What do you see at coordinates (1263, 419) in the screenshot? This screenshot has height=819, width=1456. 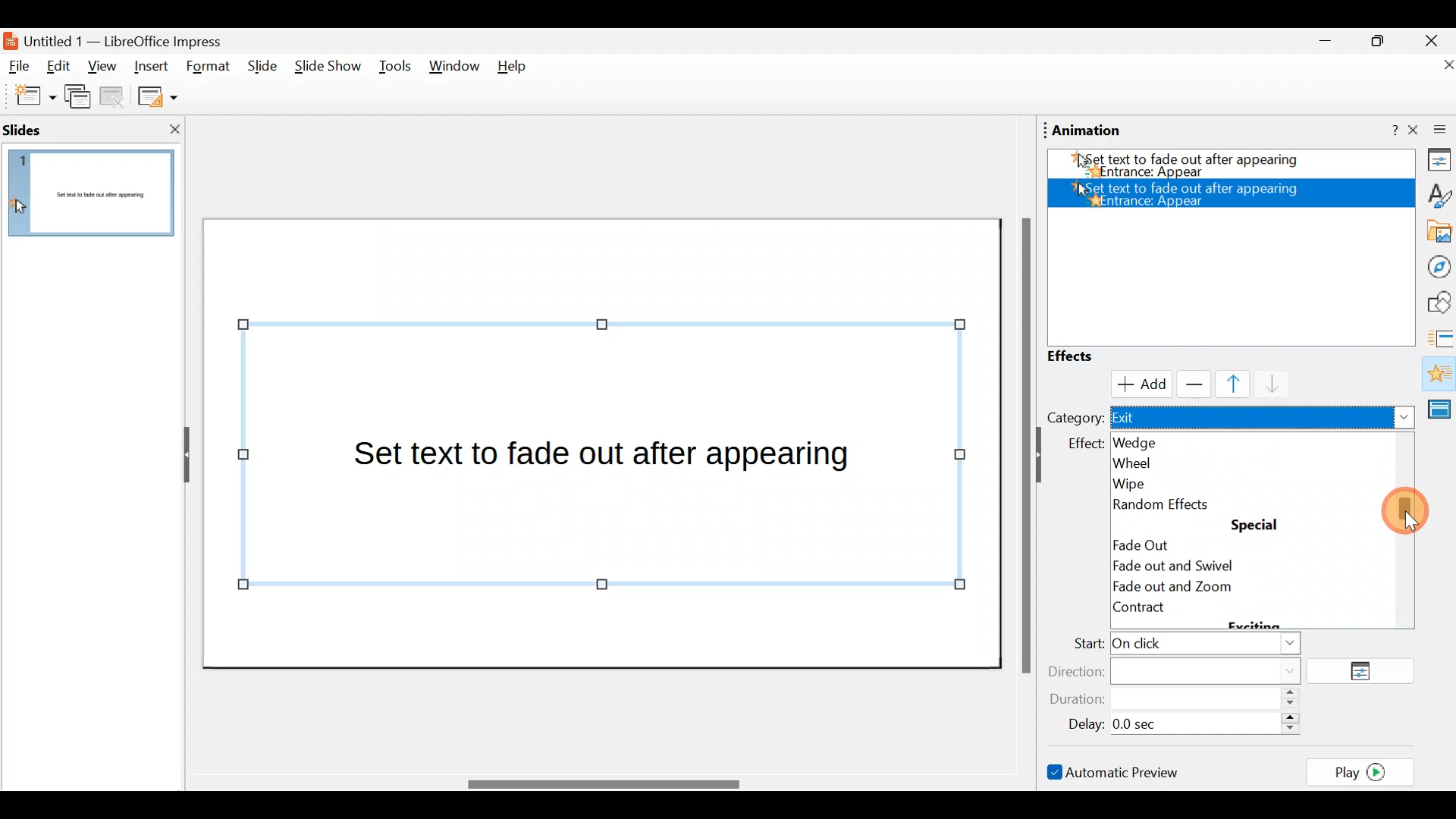 I see `Exit` at bounding box center [1263, 419].